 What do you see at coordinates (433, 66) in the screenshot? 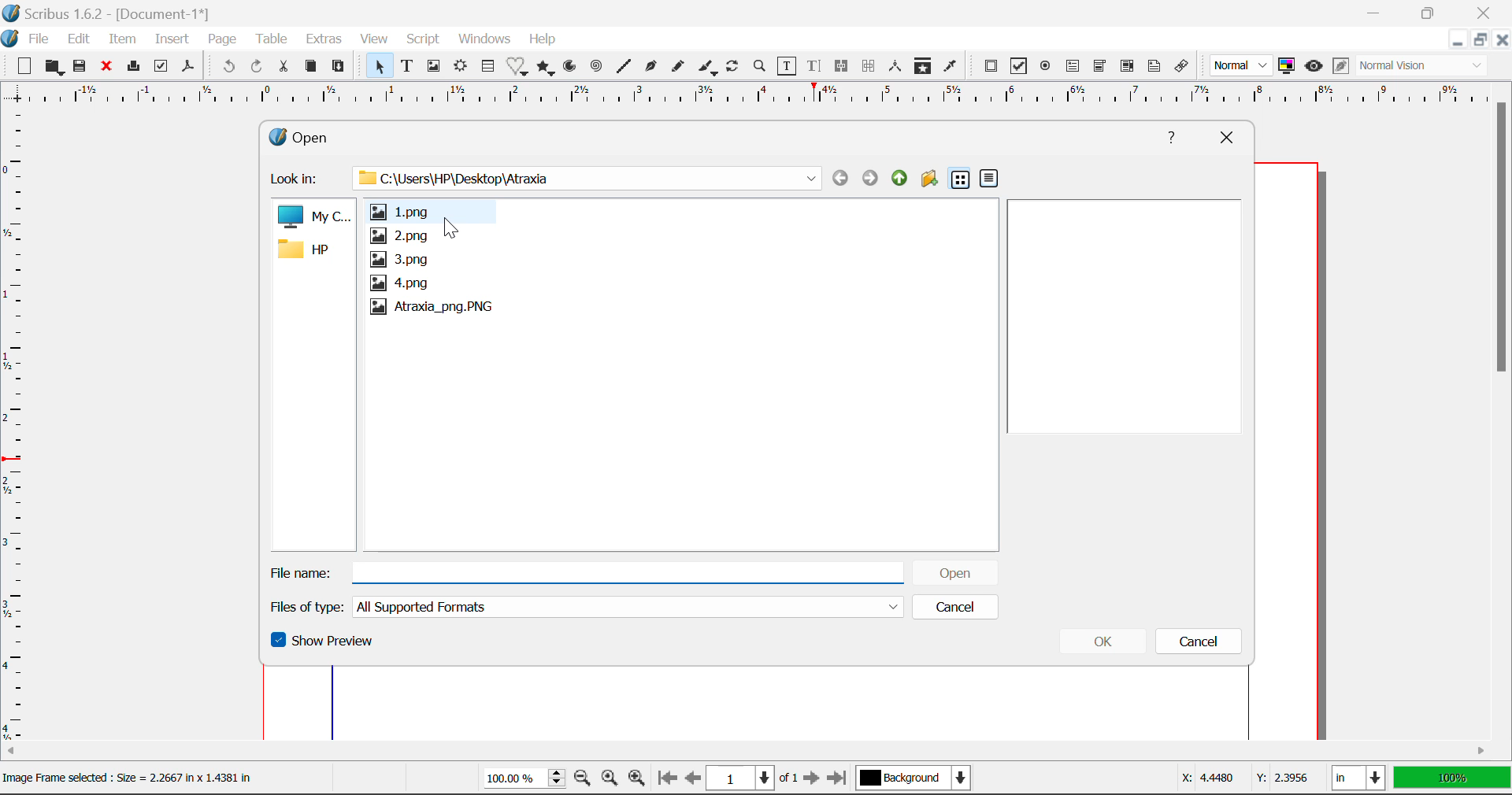
I see `Image Frames` at bounding box center [433, 66].